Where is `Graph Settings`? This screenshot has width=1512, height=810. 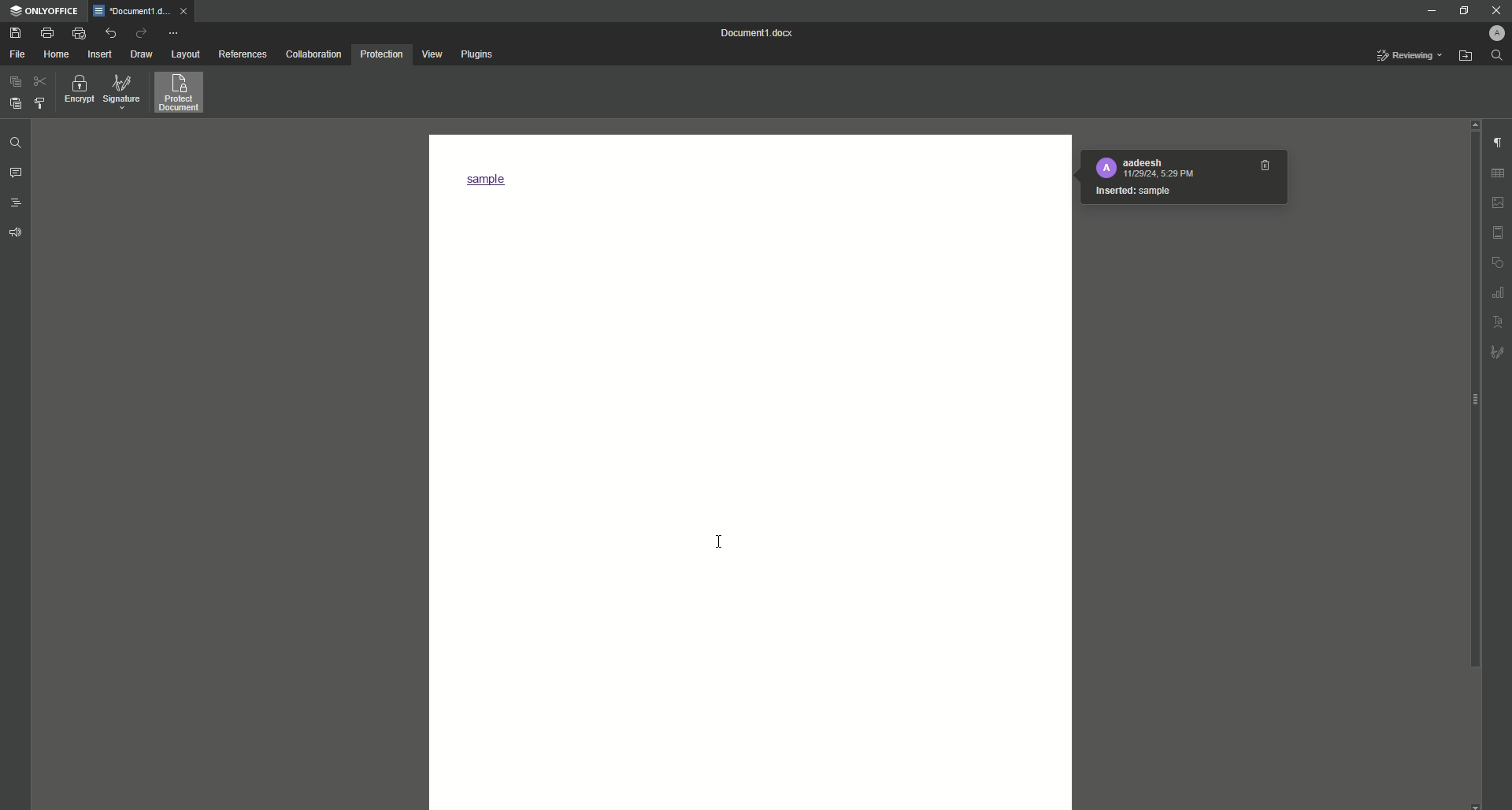 Graph Settings is located at coordinates (1499, 292).